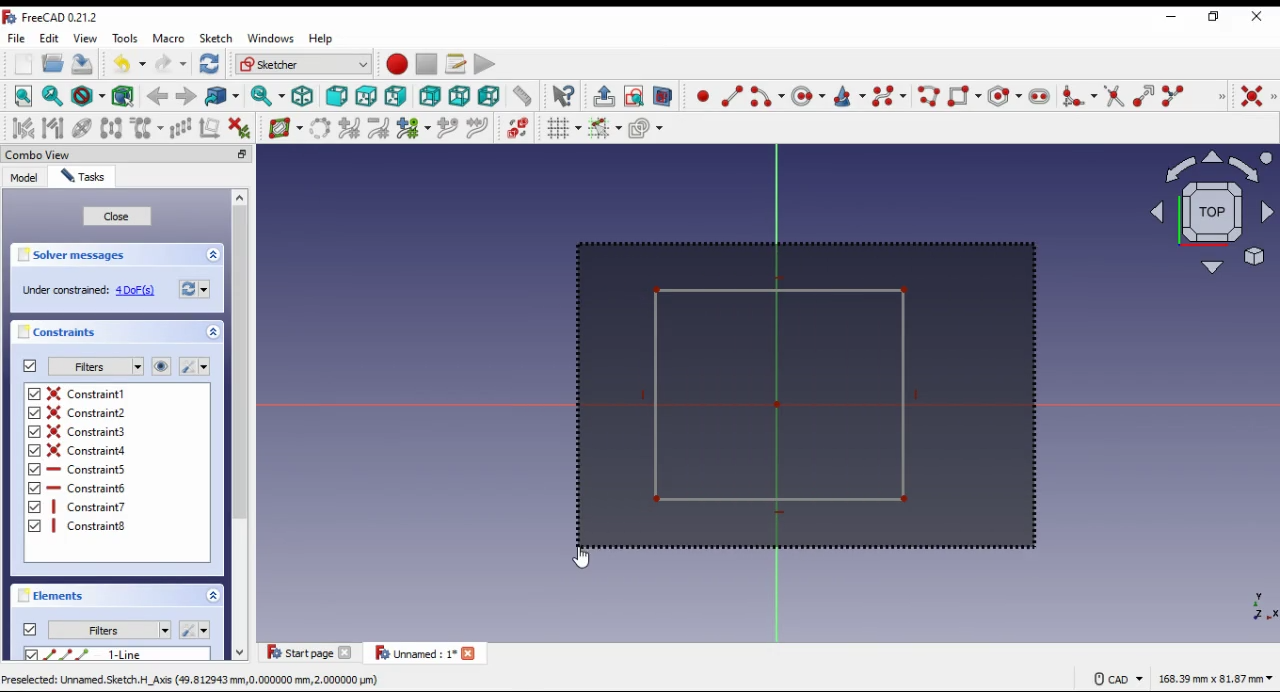 The image size is (1280, 692). Describe the element at coordinates (396, 64) in the screenshot. I see `record macro` at that location.